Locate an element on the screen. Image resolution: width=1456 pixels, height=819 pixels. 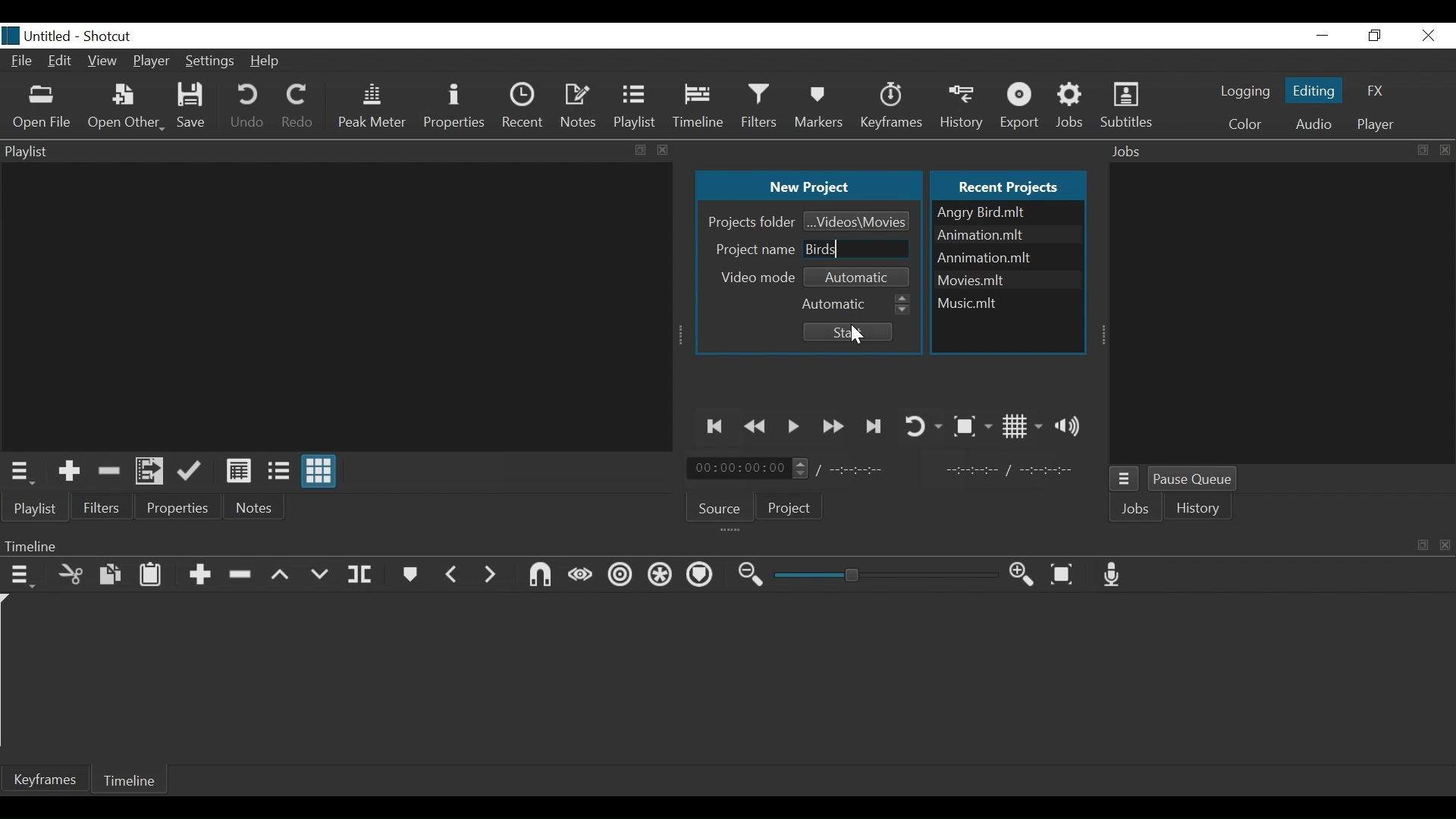
History is located at coordinates (964, 105).